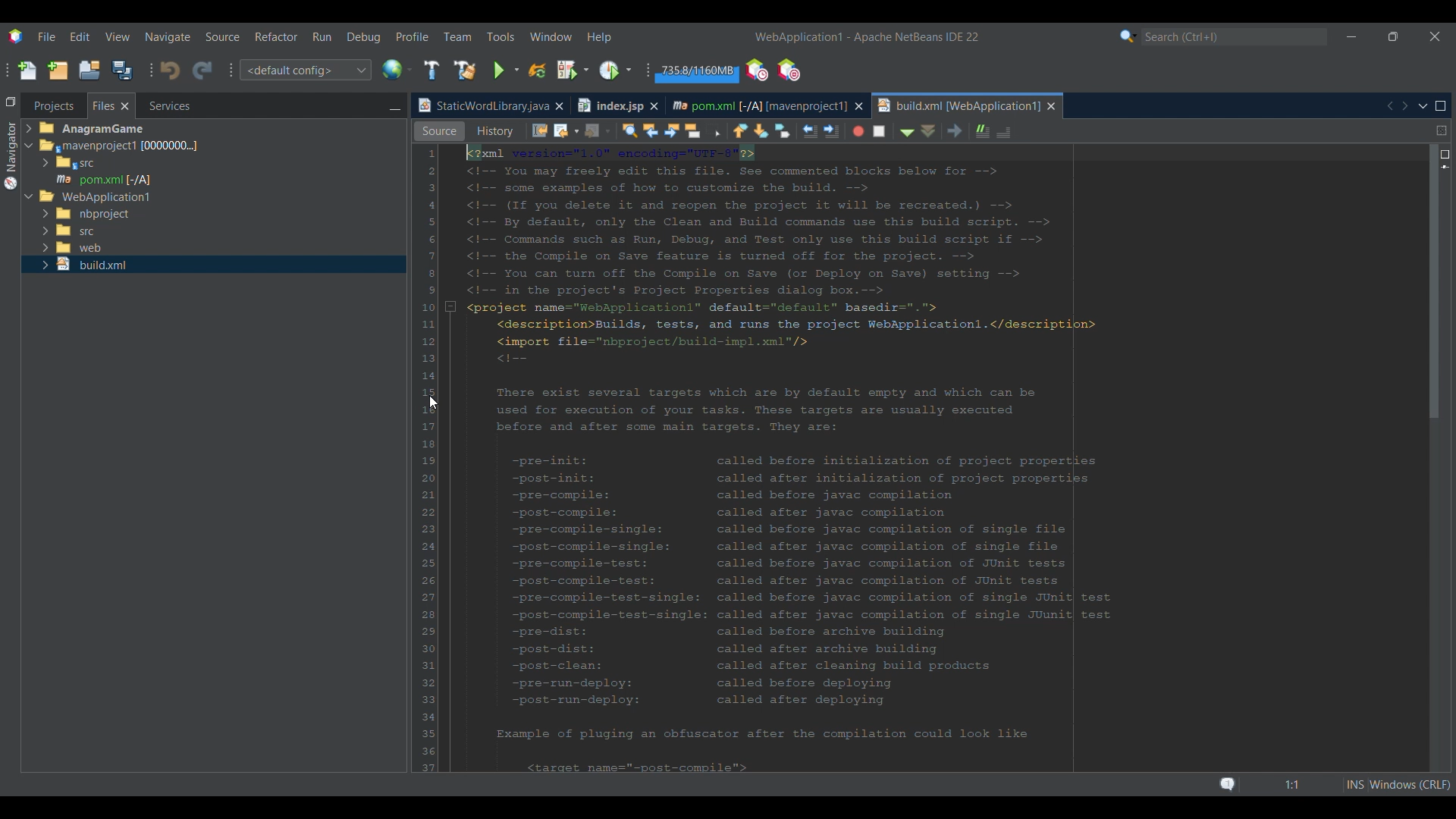 This screenshot has width=1456, height=819. I want to click on Services, current tab highlighted, so click(162, 105).